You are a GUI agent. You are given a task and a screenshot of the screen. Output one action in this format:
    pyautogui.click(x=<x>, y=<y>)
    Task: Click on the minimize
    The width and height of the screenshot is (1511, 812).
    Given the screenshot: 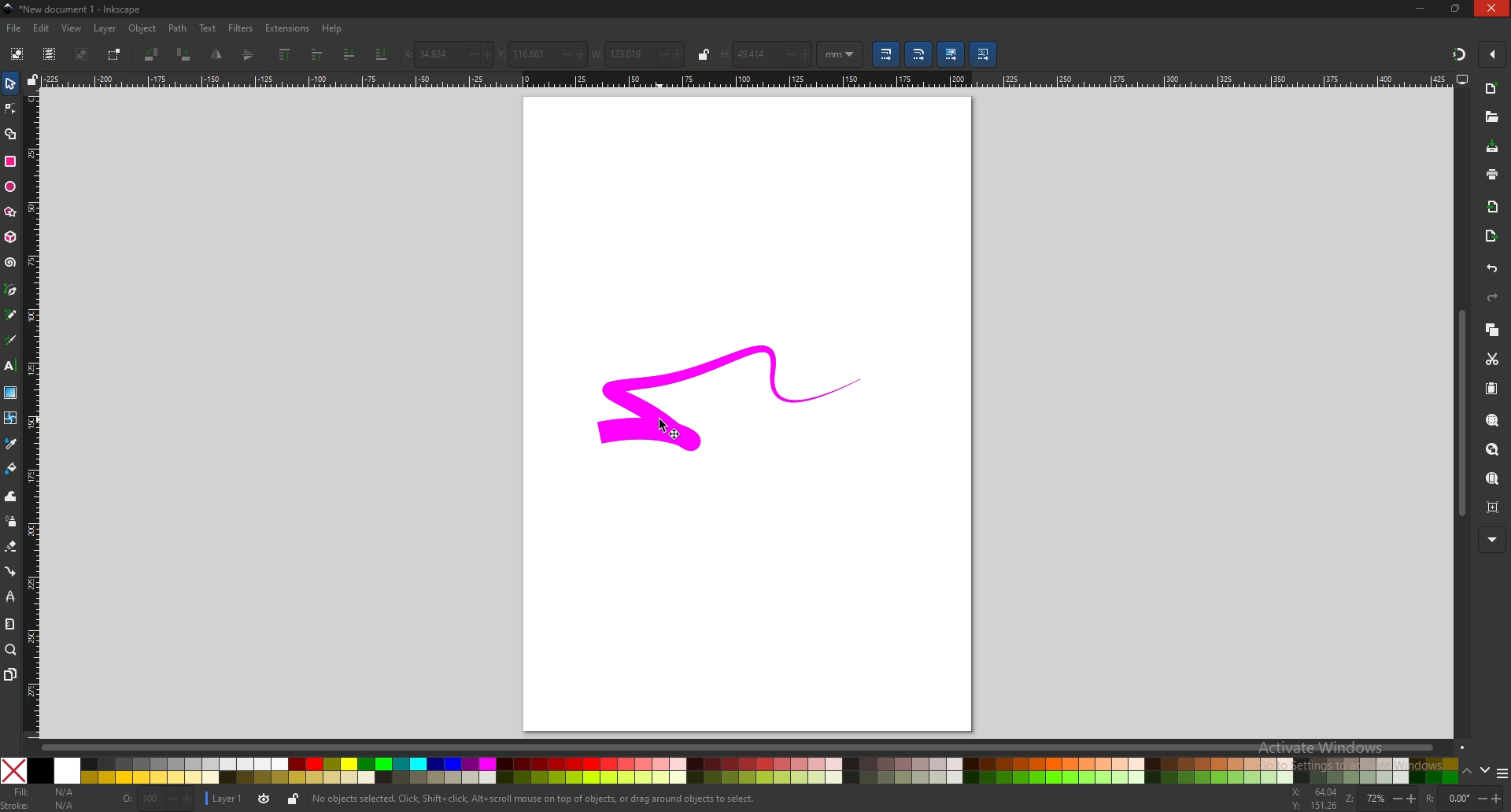 What is the action you would take?
    pyautogui.click(x=1422, y=9)
    